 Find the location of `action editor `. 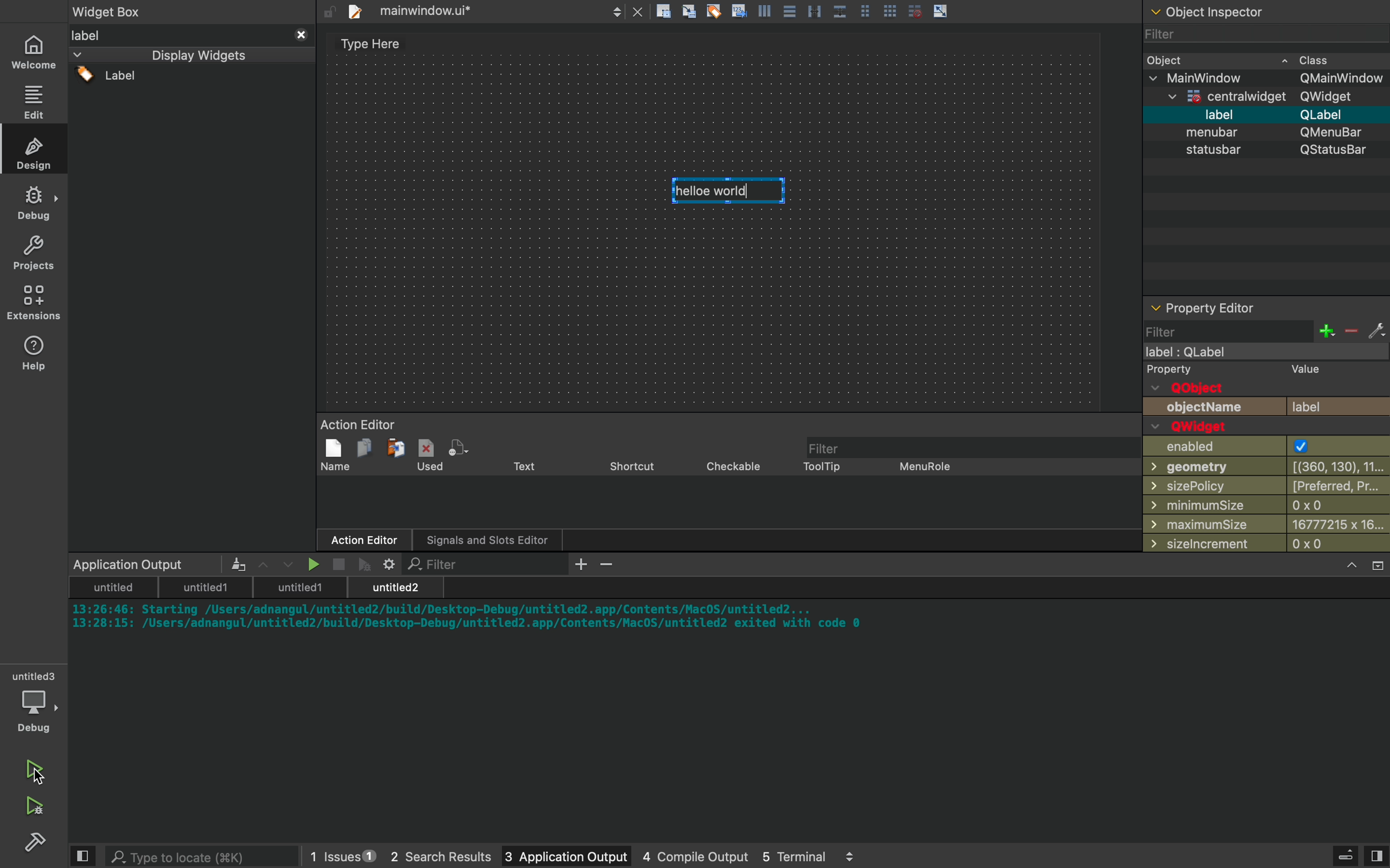

action editor  is located at coordinates (724, 486).